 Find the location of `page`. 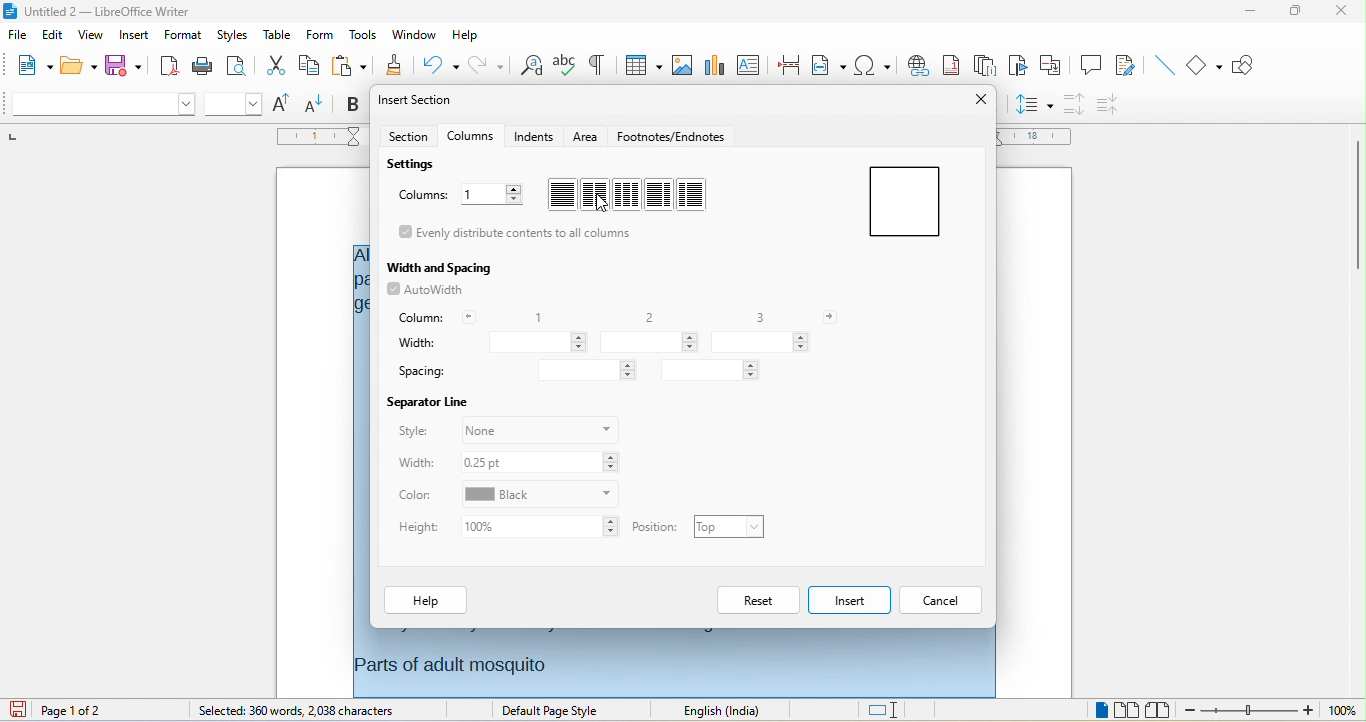

page is located at coordinates (903, 202).